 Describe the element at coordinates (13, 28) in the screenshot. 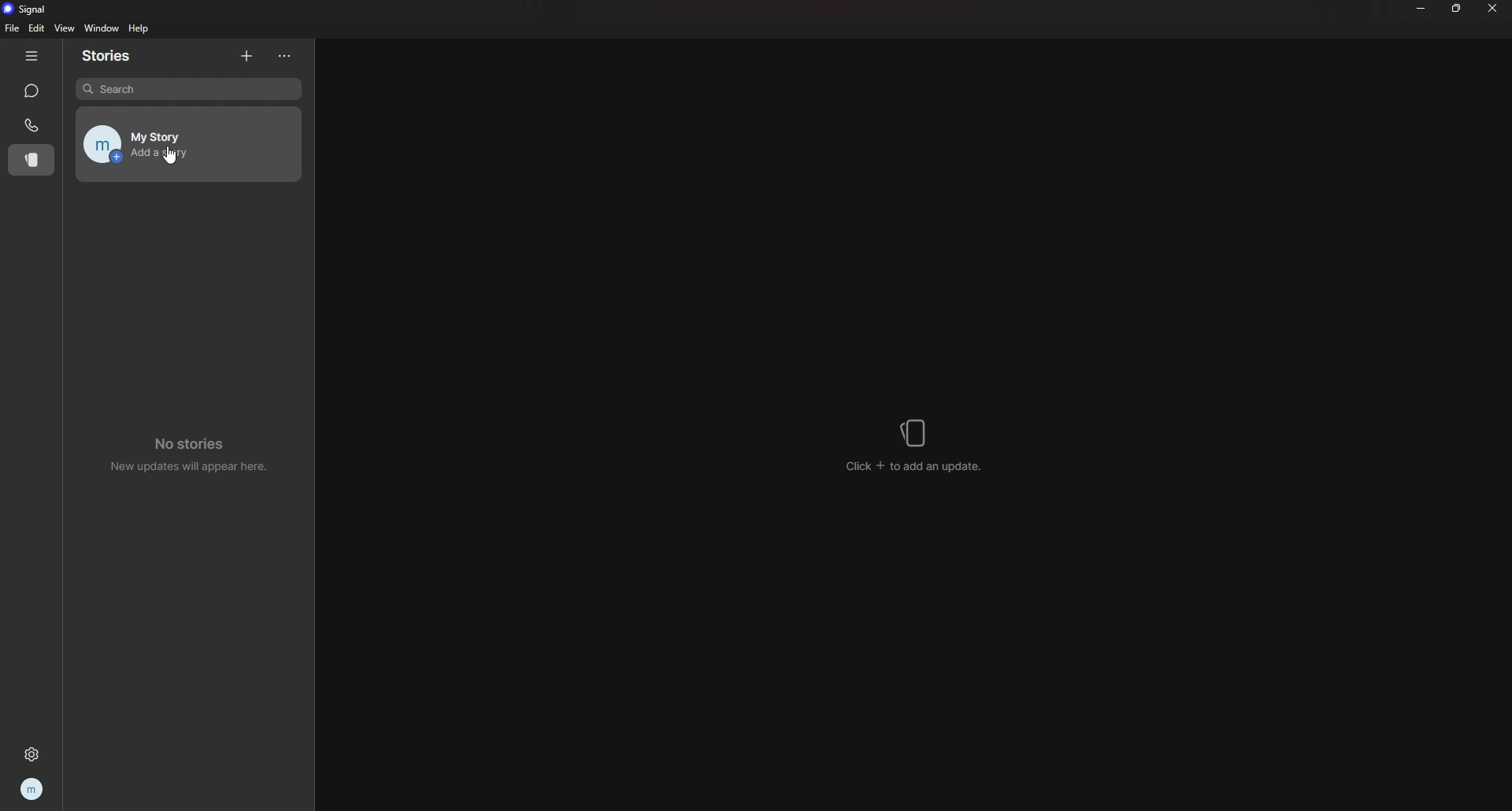

I see `file` at that location.